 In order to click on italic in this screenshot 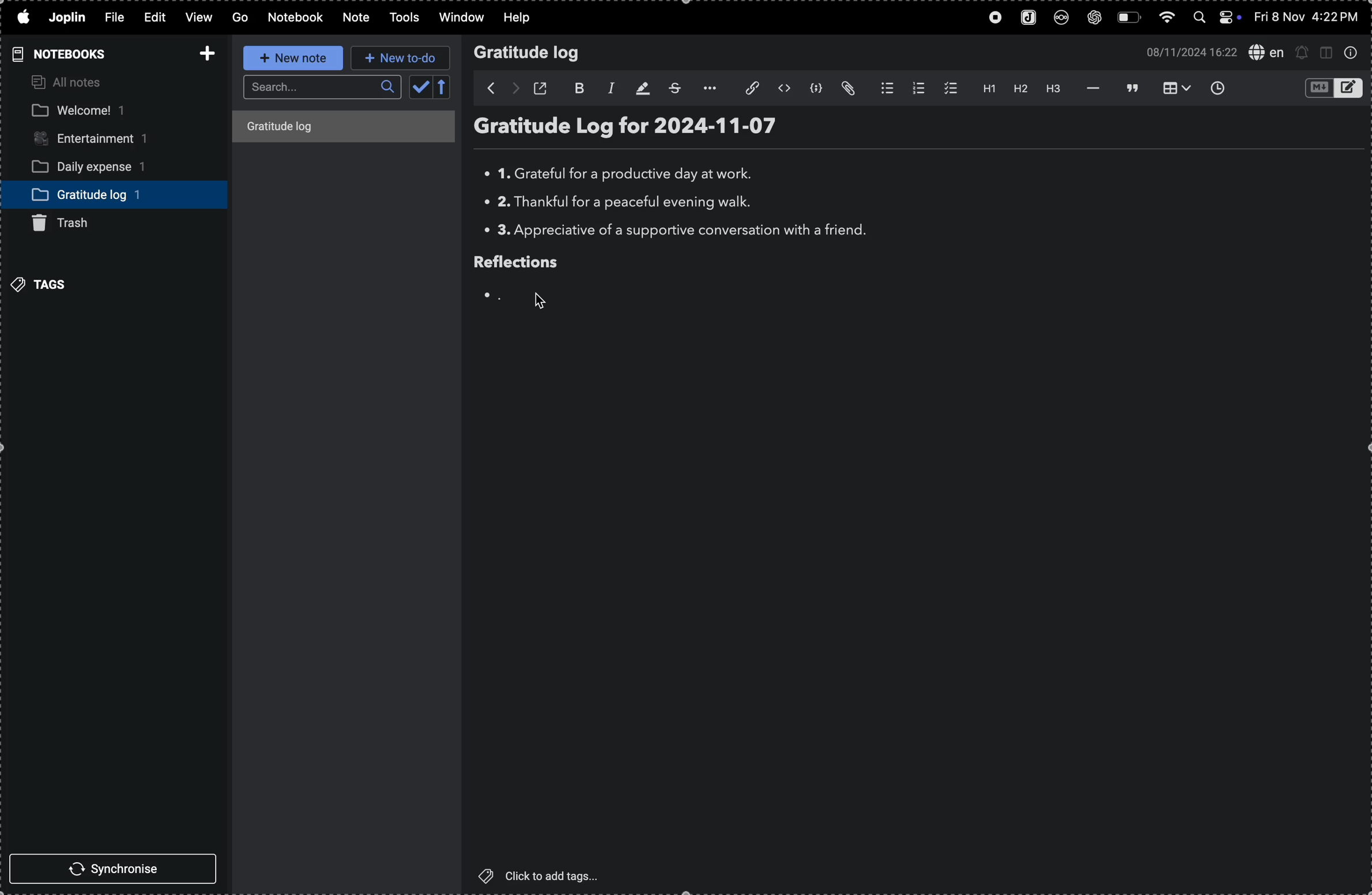, I will do `click(608, 88)`.